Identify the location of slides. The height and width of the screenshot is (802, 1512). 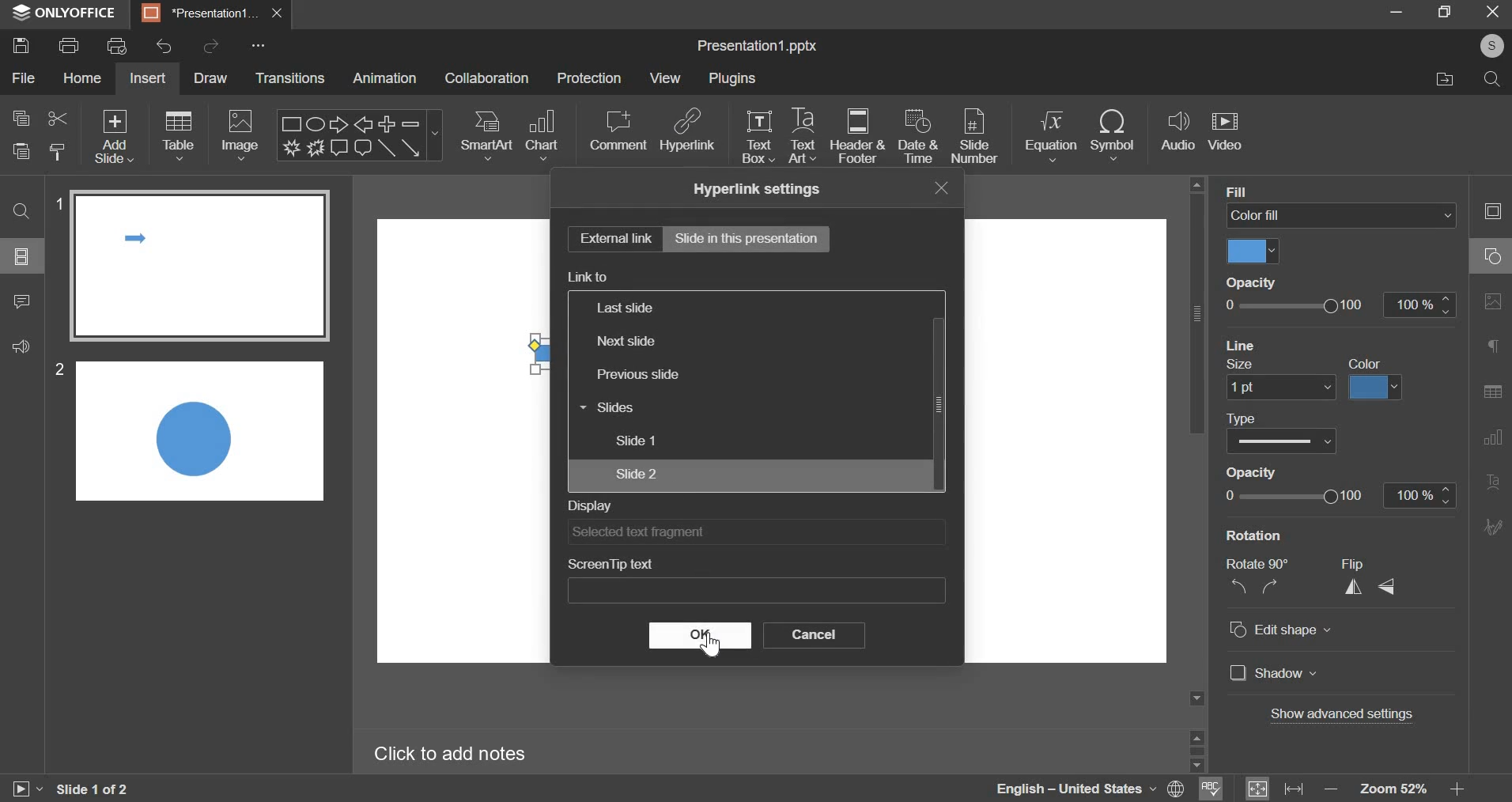
(605, 408).